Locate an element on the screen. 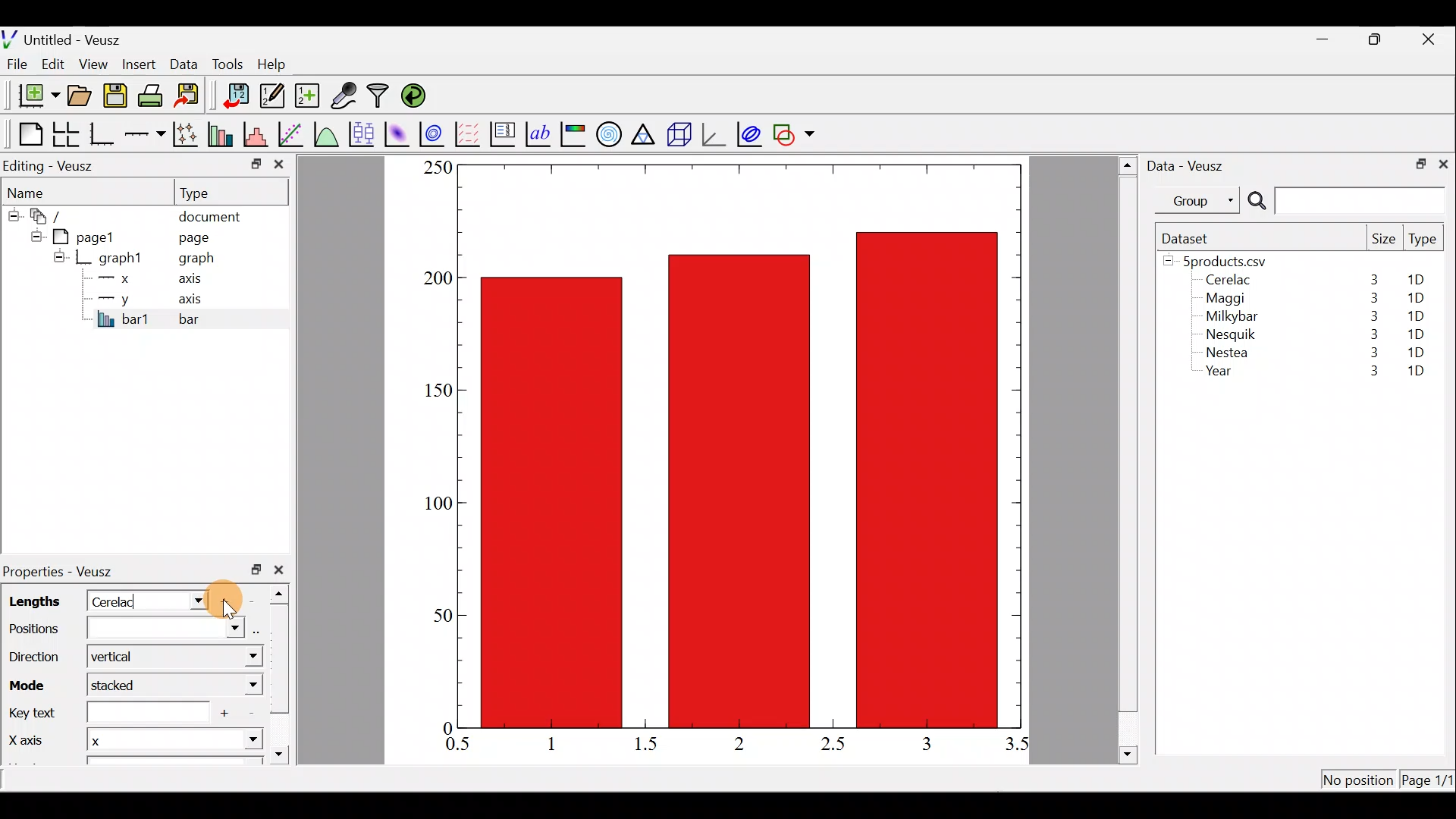  Plot points with lines and error bars is located at coordinates (188, 135).